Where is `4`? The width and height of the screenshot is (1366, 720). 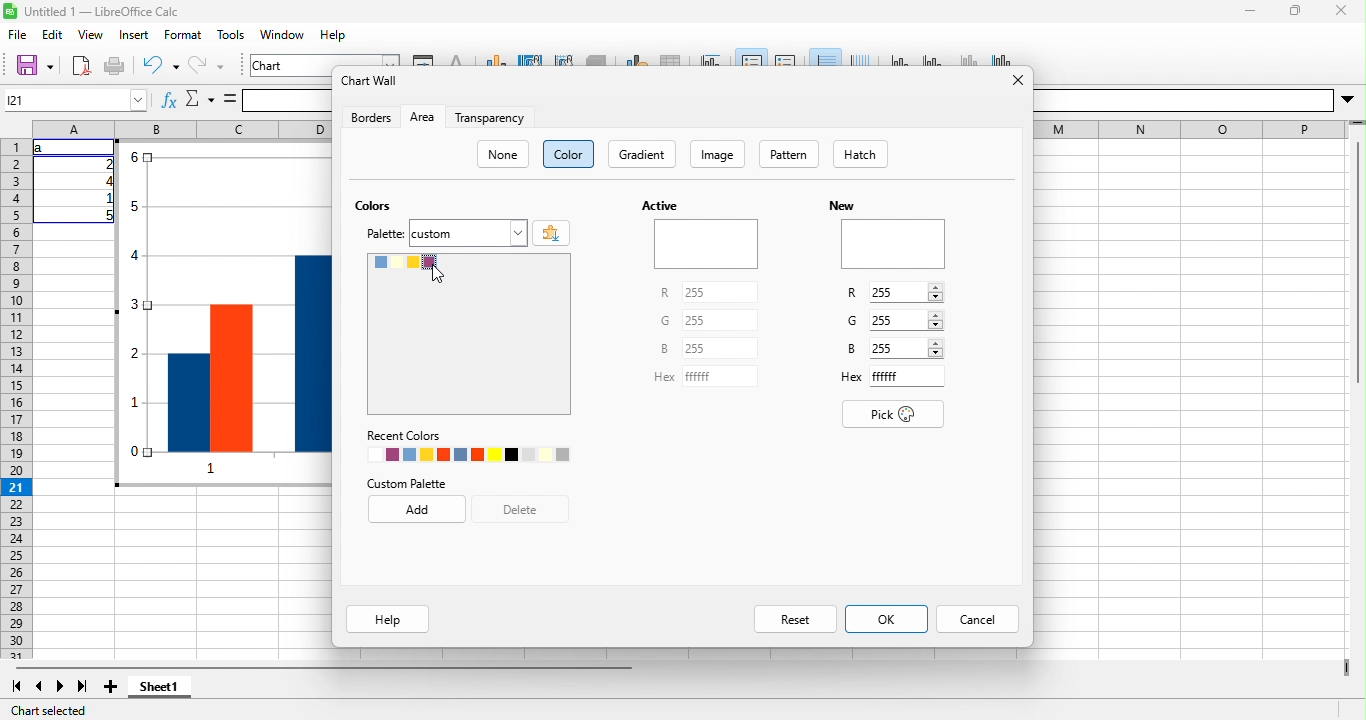
4 is located at coordinates (106, 181).